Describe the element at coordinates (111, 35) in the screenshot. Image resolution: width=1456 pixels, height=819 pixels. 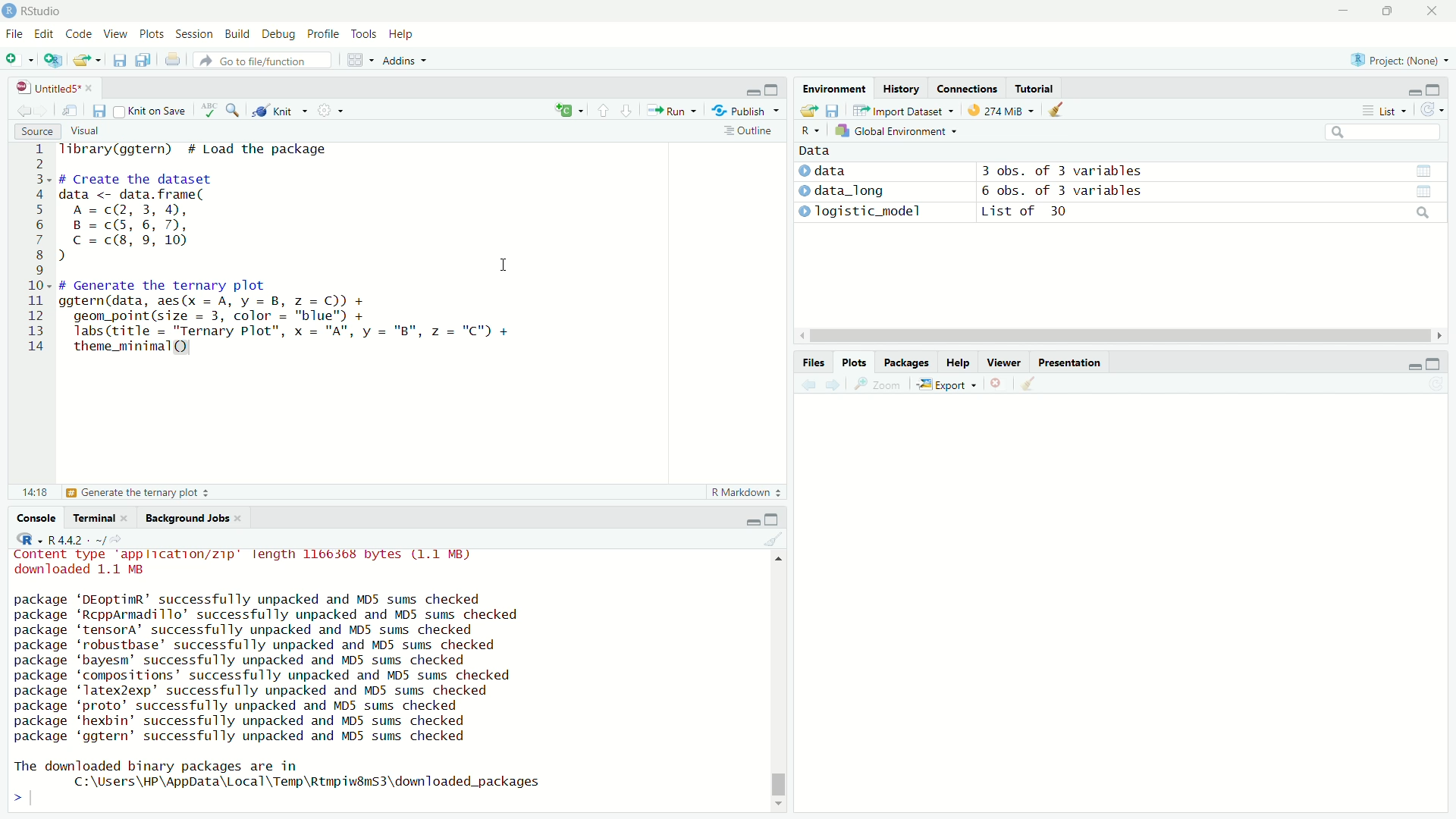
I see `View` at that location.